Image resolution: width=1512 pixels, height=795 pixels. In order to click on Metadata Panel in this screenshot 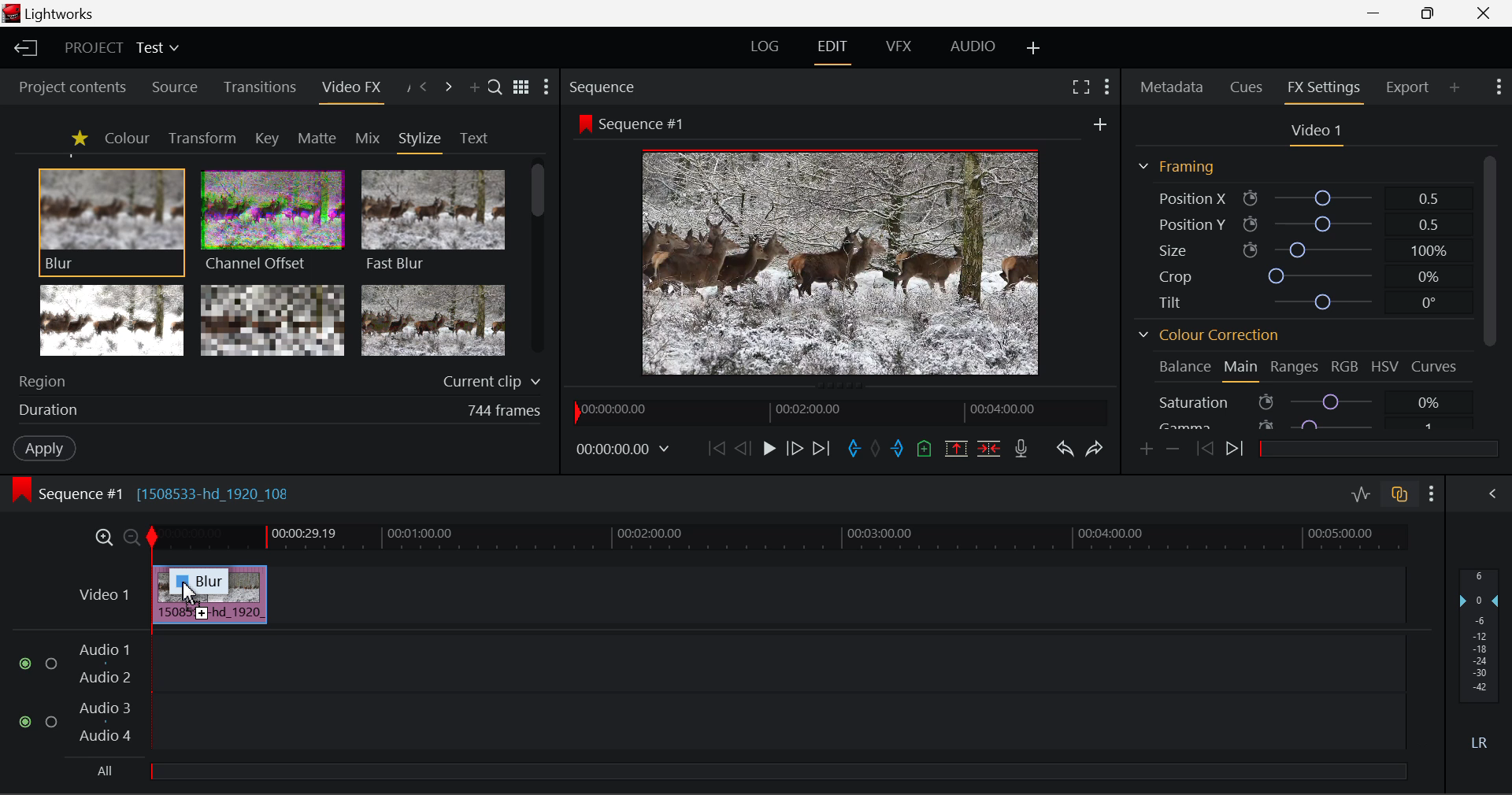, I will do `click(1170, 88)`.